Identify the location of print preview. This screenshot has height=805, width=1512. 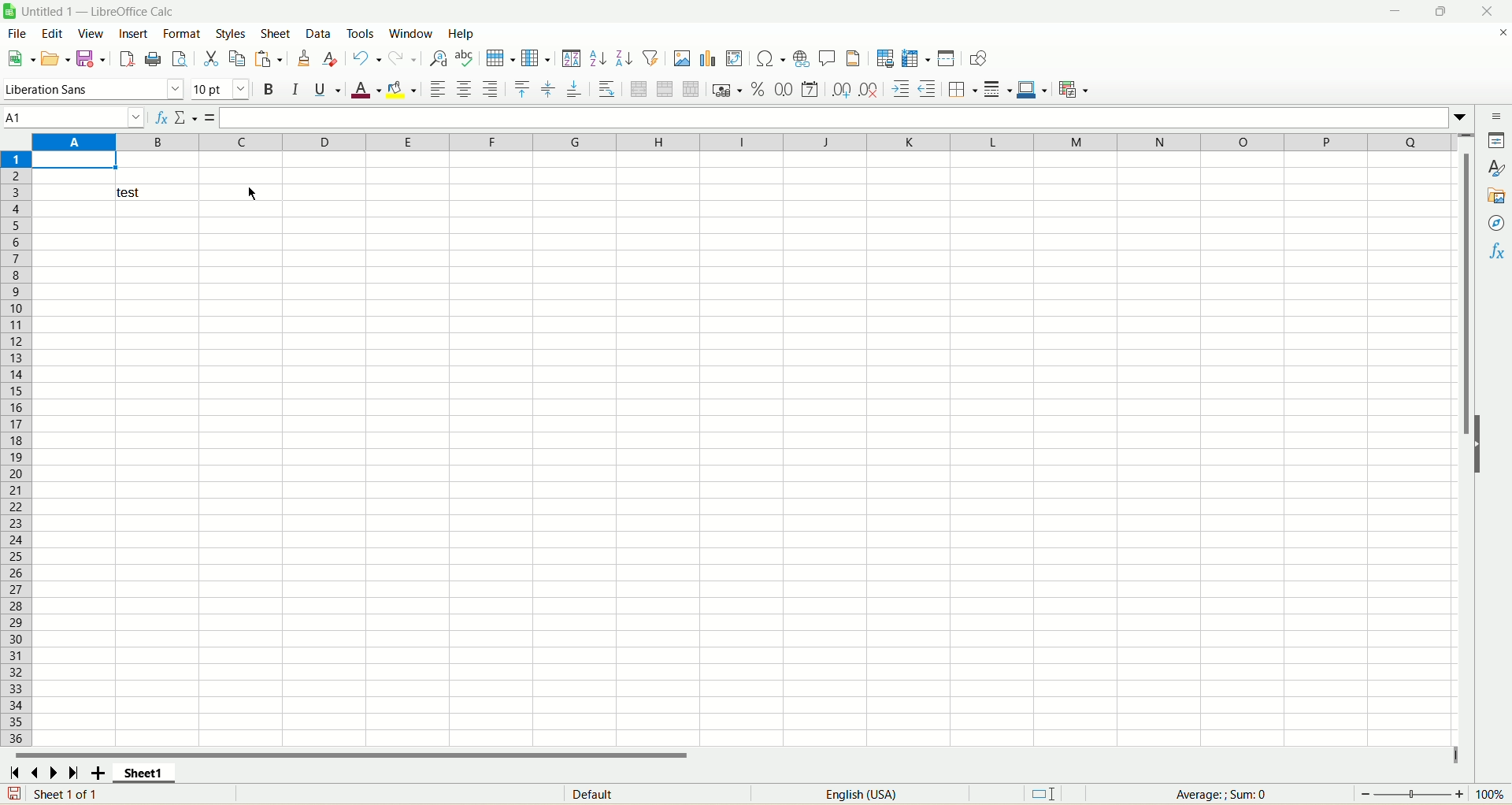
(179, 58).